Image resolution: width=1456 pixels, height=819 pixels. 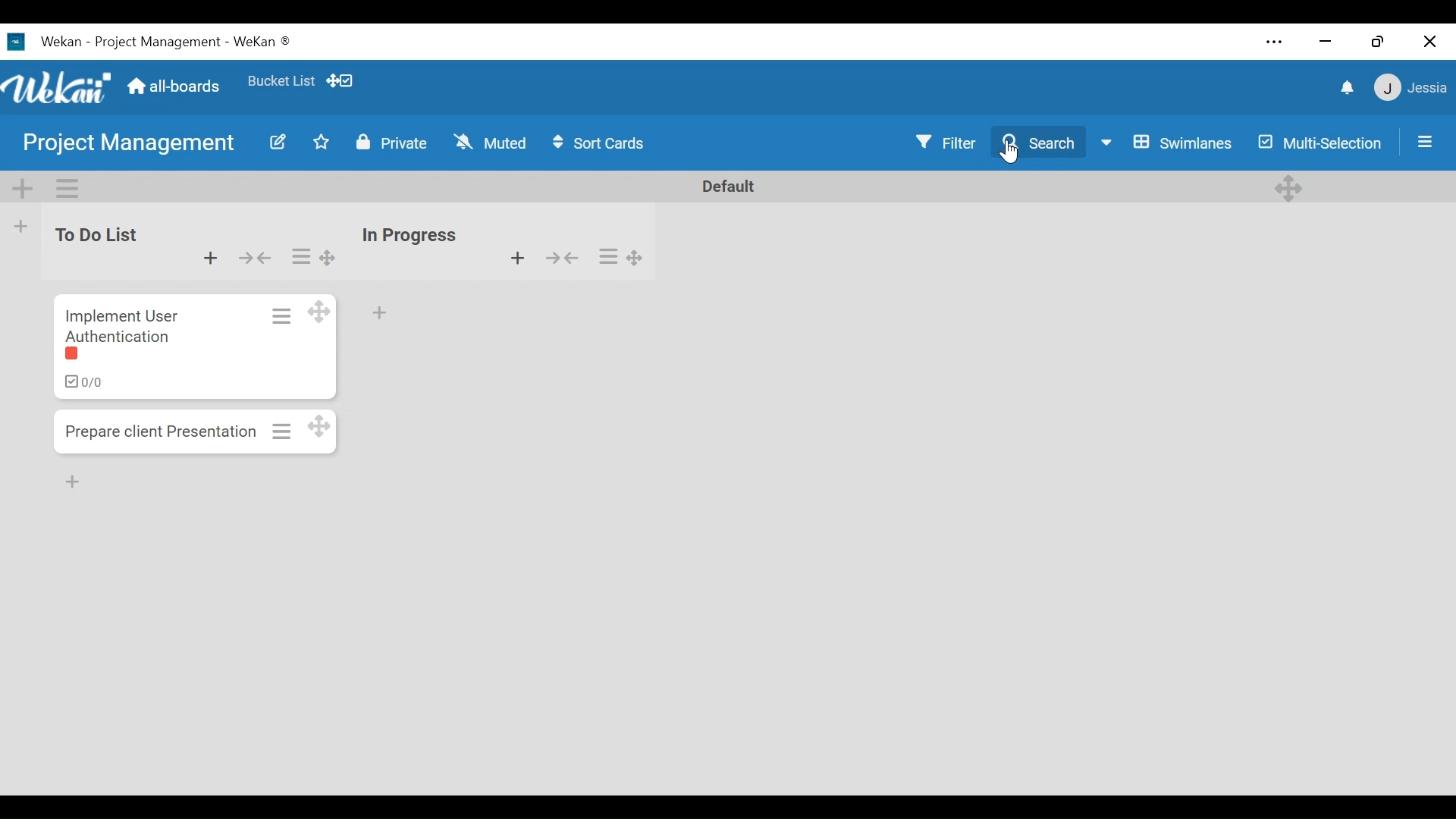 I want to click on Card actions, so click(x=278, y=315).